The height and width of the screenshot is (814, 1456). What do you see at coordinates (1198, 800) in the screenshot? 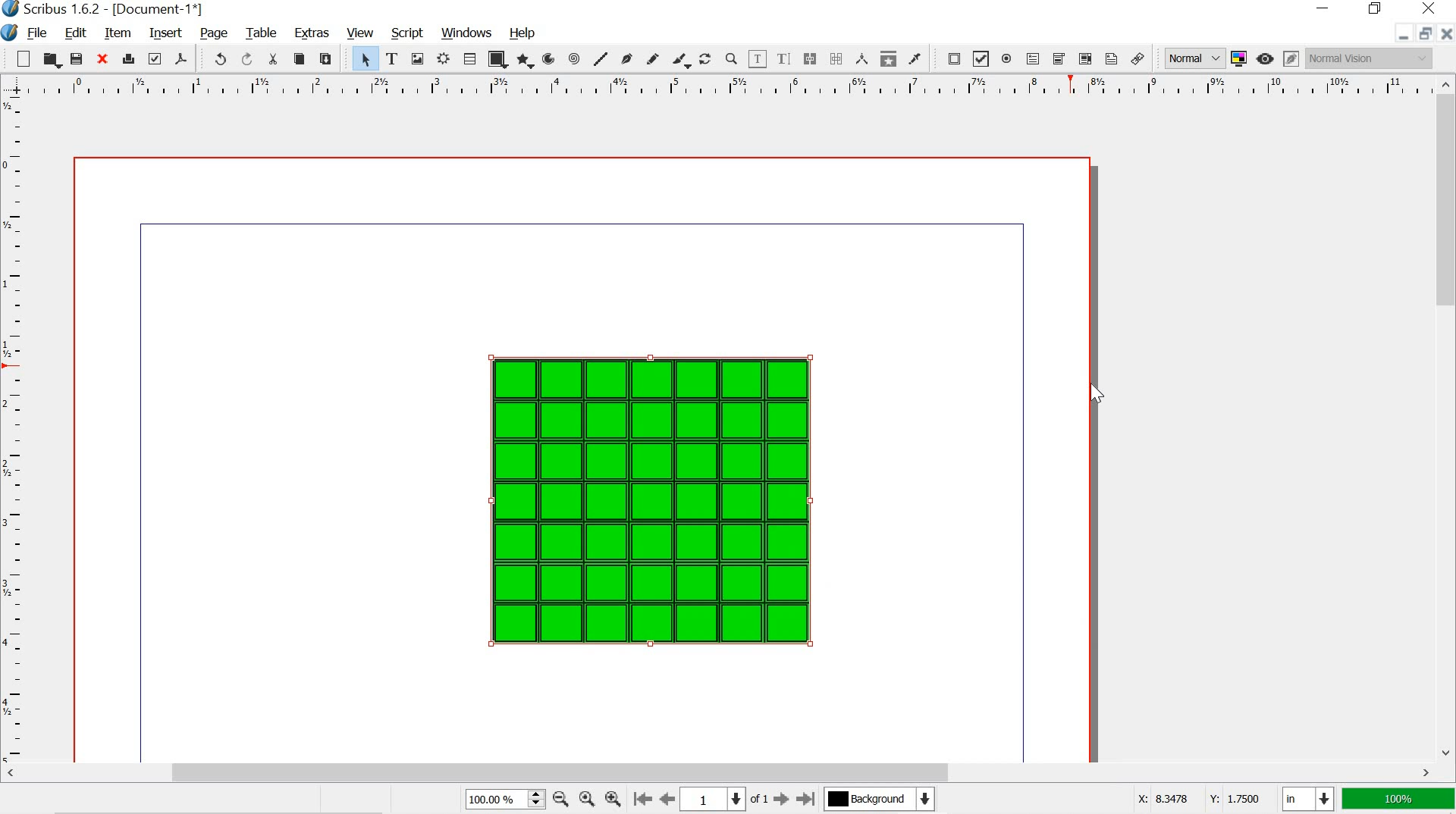
I see `X: 8.3478 Y: 1.7500` at bounding box center [1198, 800].